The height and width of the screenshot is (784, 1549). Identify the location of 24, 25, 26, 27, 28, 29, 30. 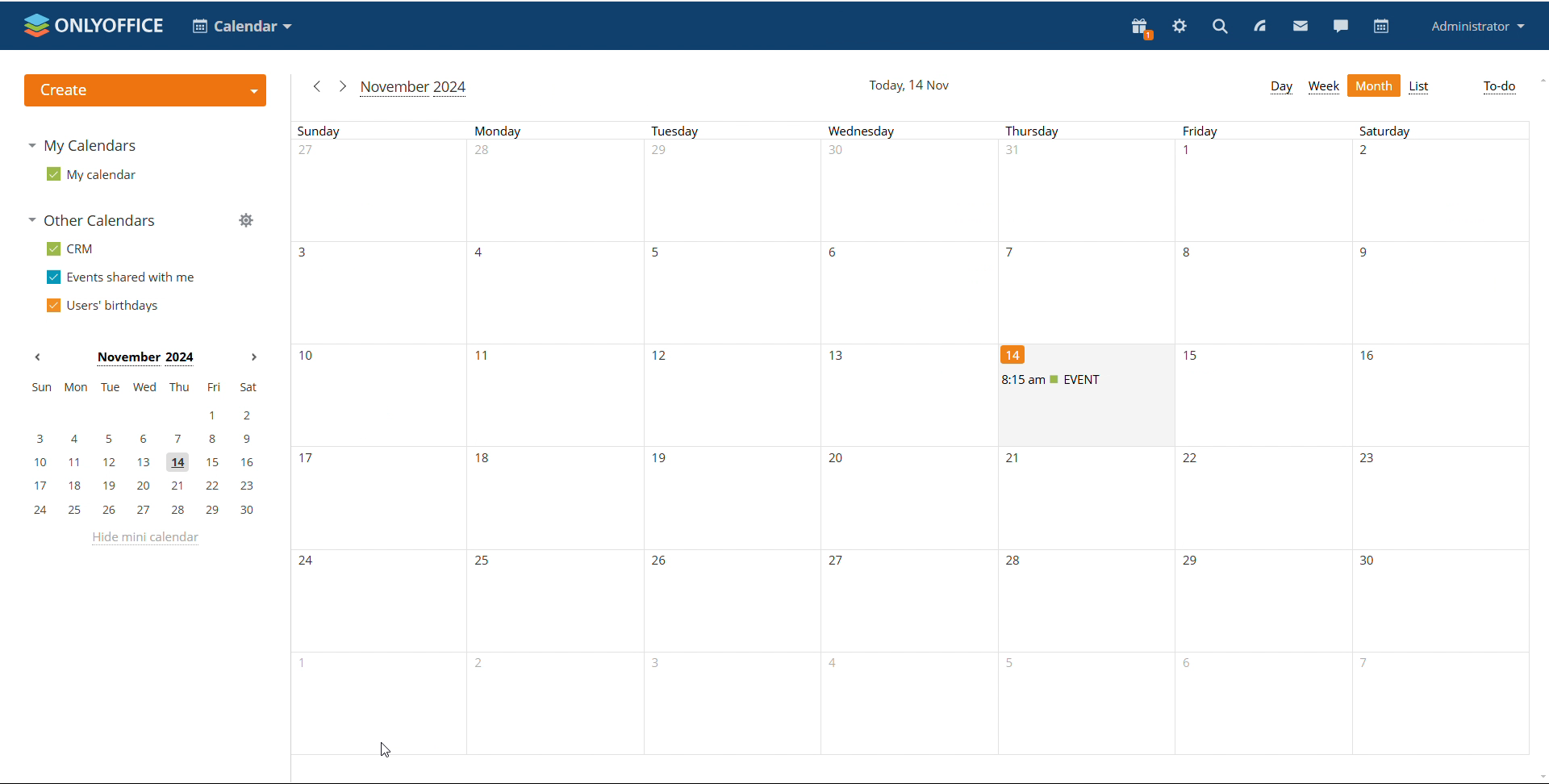
(143, 509).